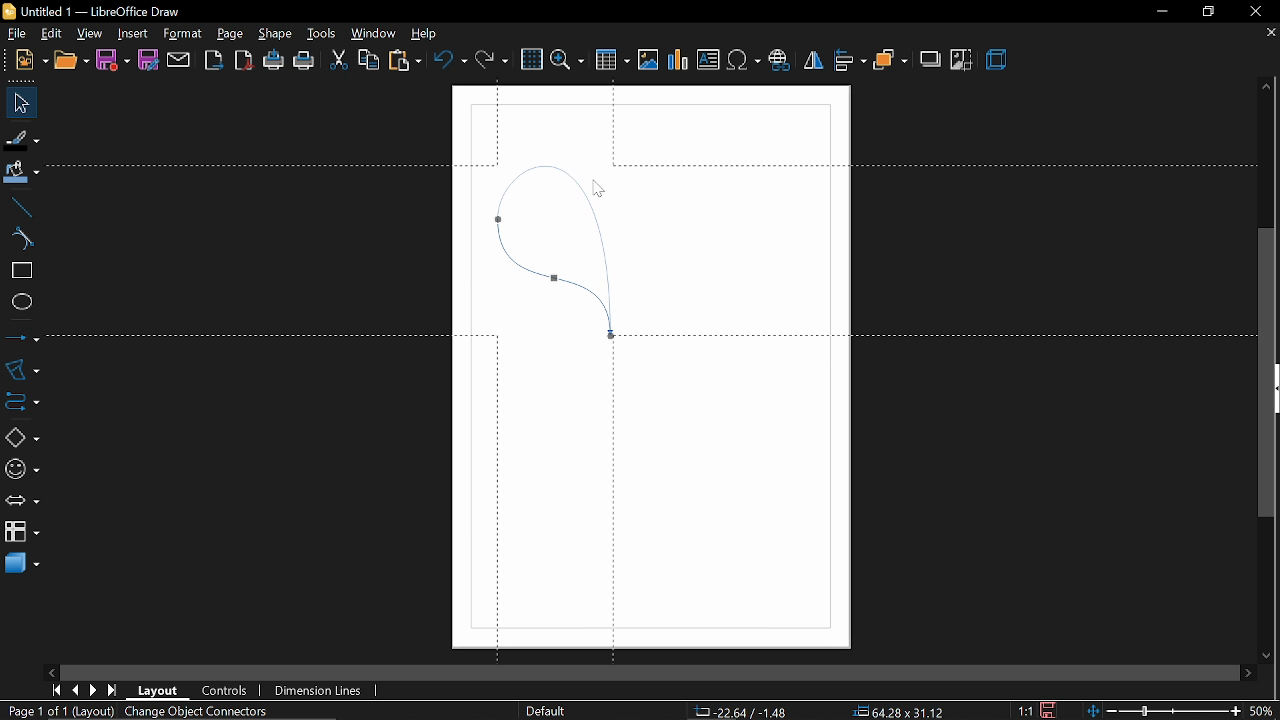 The image size is (1280, 720). I want to click on minimize, so click(1158, 12).